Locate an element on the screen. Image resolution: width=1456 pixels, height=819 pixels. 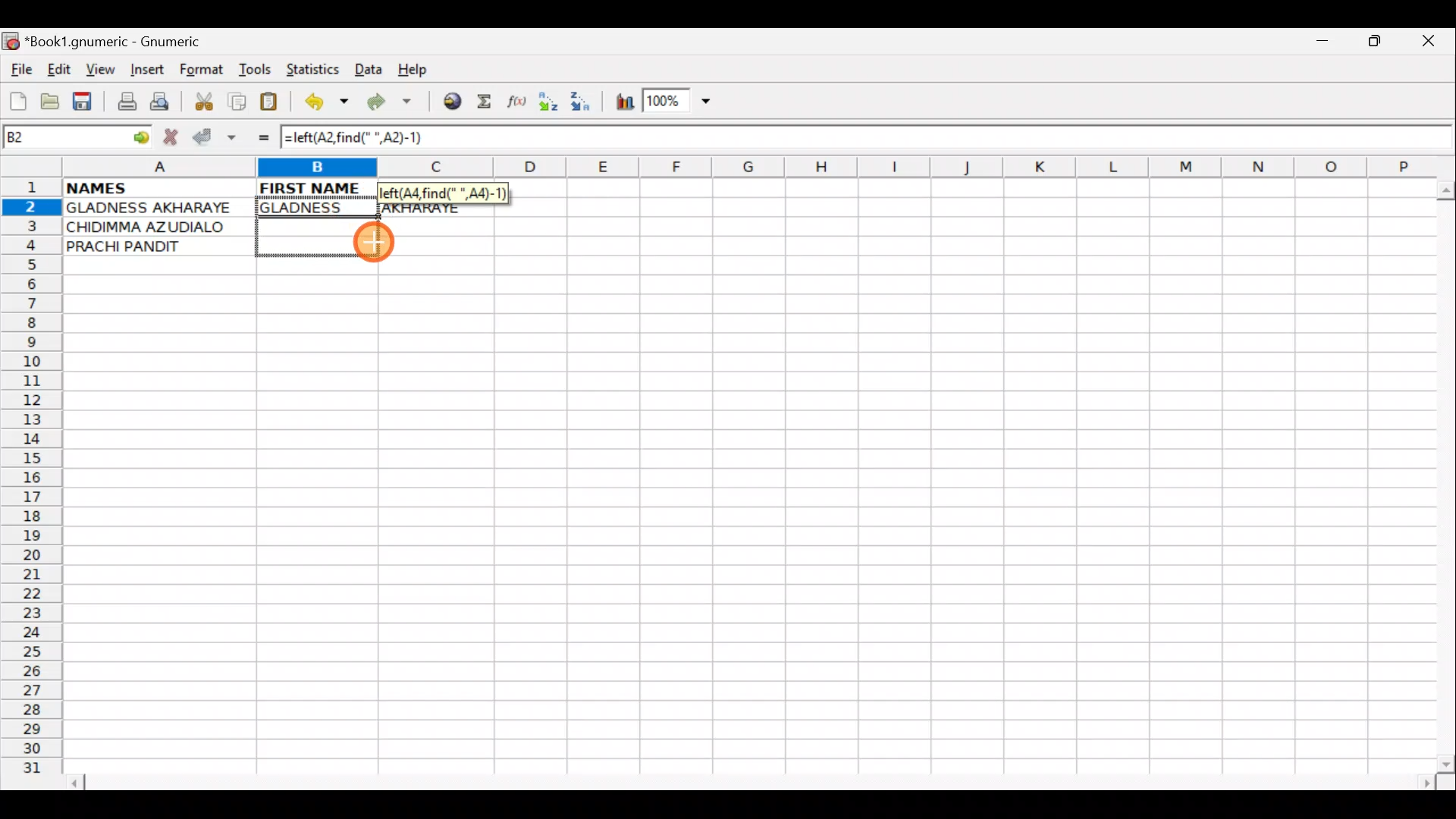
Cut selection is located at coordinates (203, 99).